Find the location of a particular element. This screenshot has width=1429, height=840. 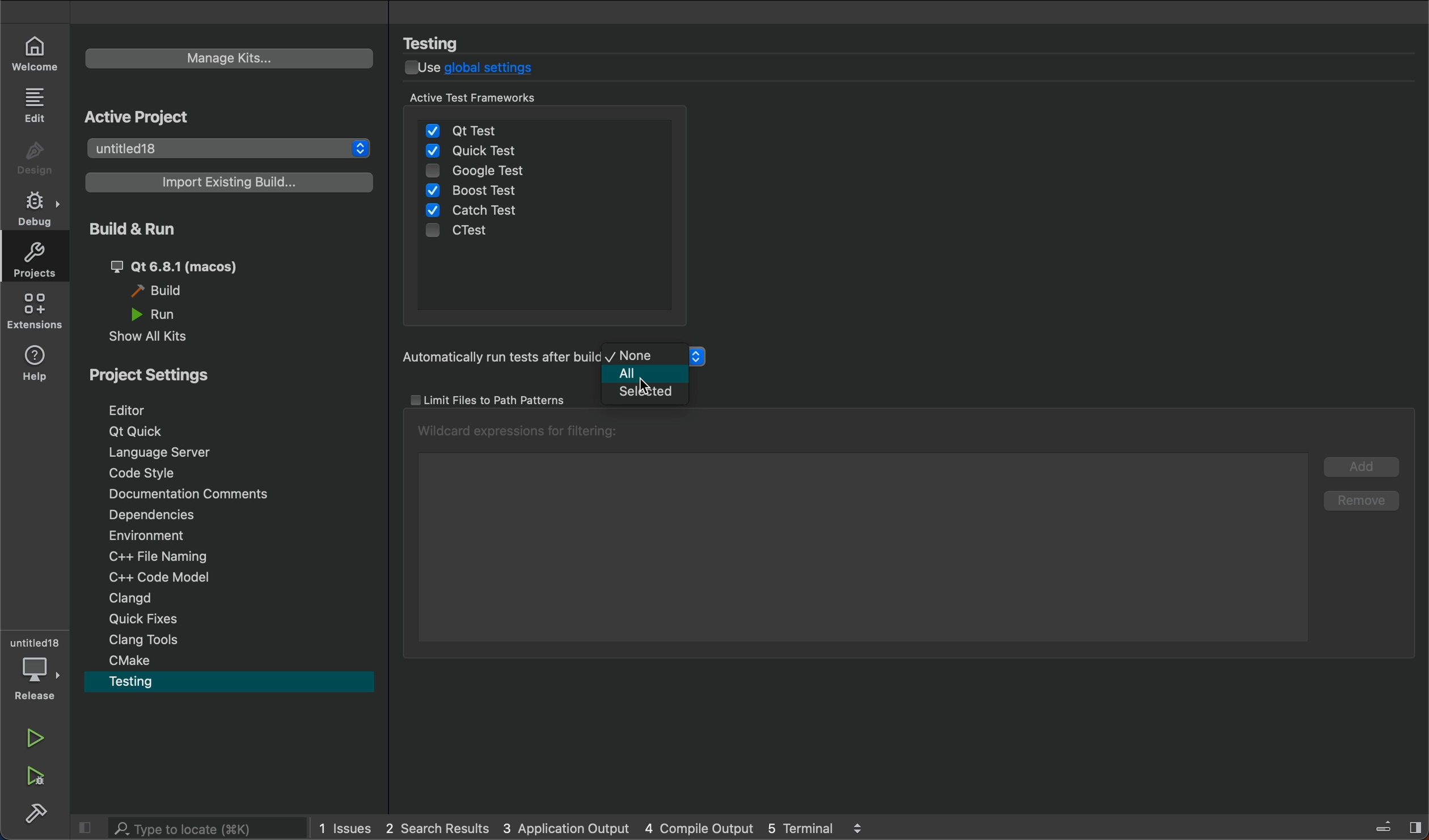

close is located at coordinates (84, 828).